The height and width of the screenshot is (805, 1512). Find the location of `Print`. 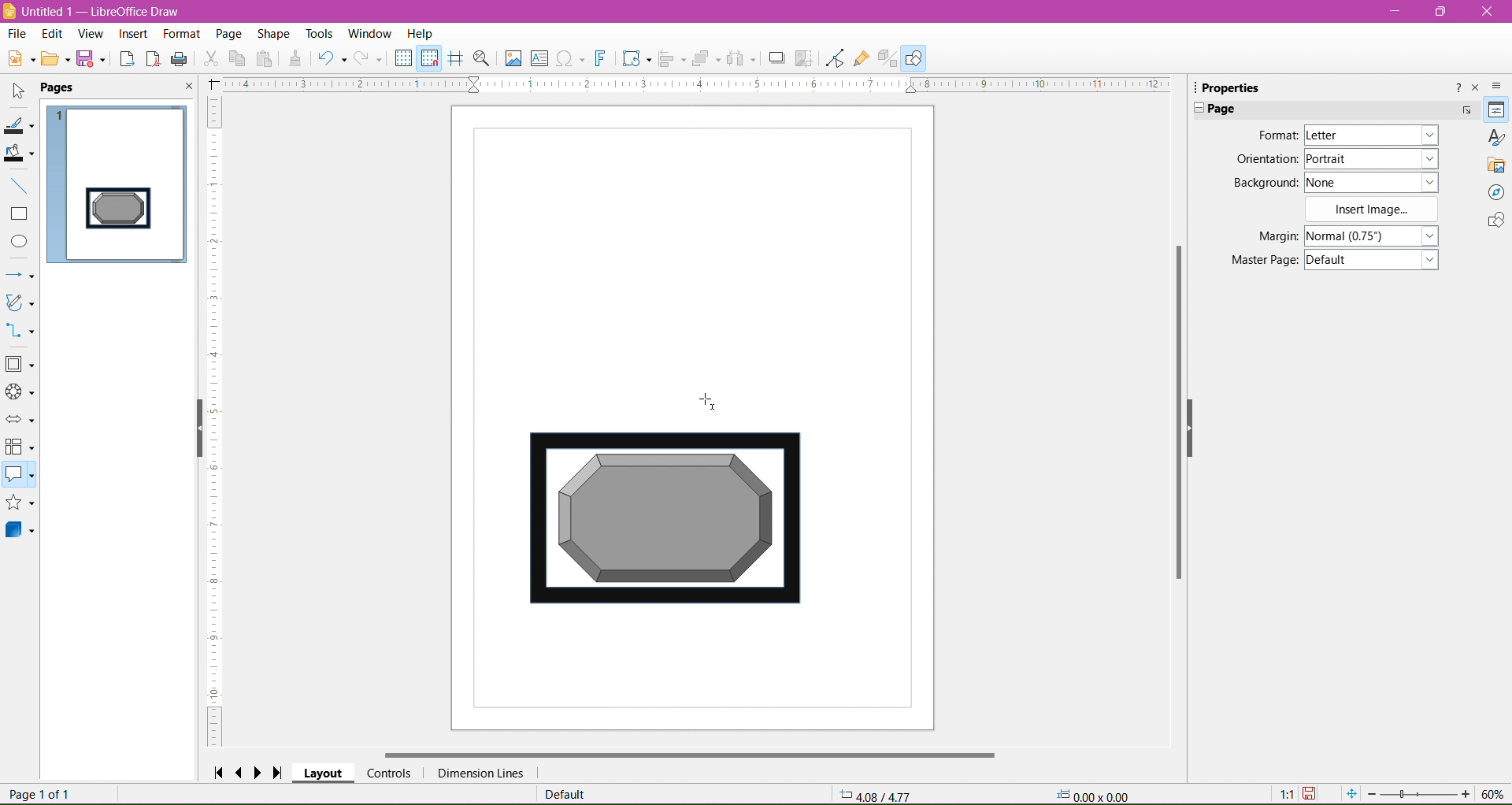

Print is located at coordinates (180, 58).